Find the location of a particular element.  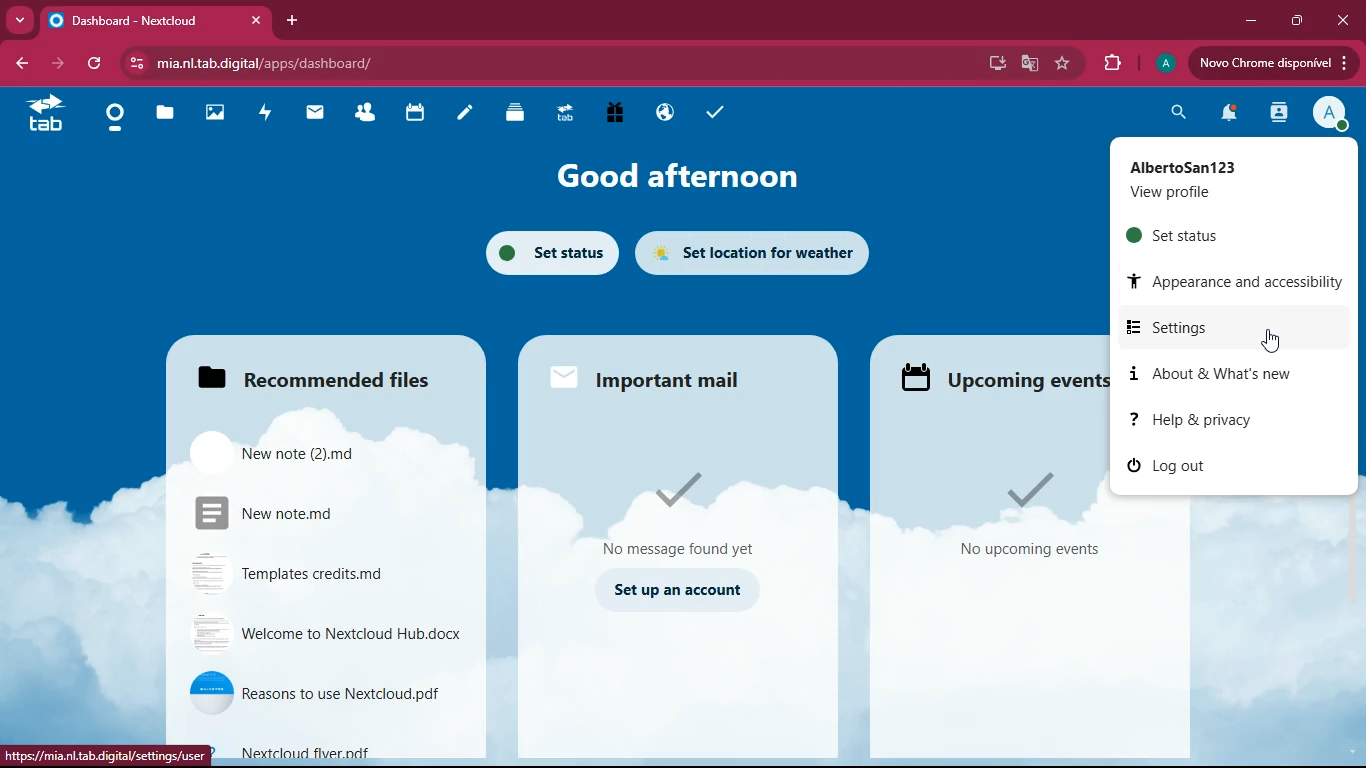

upcoming event is located at coordinates (1005, 379).